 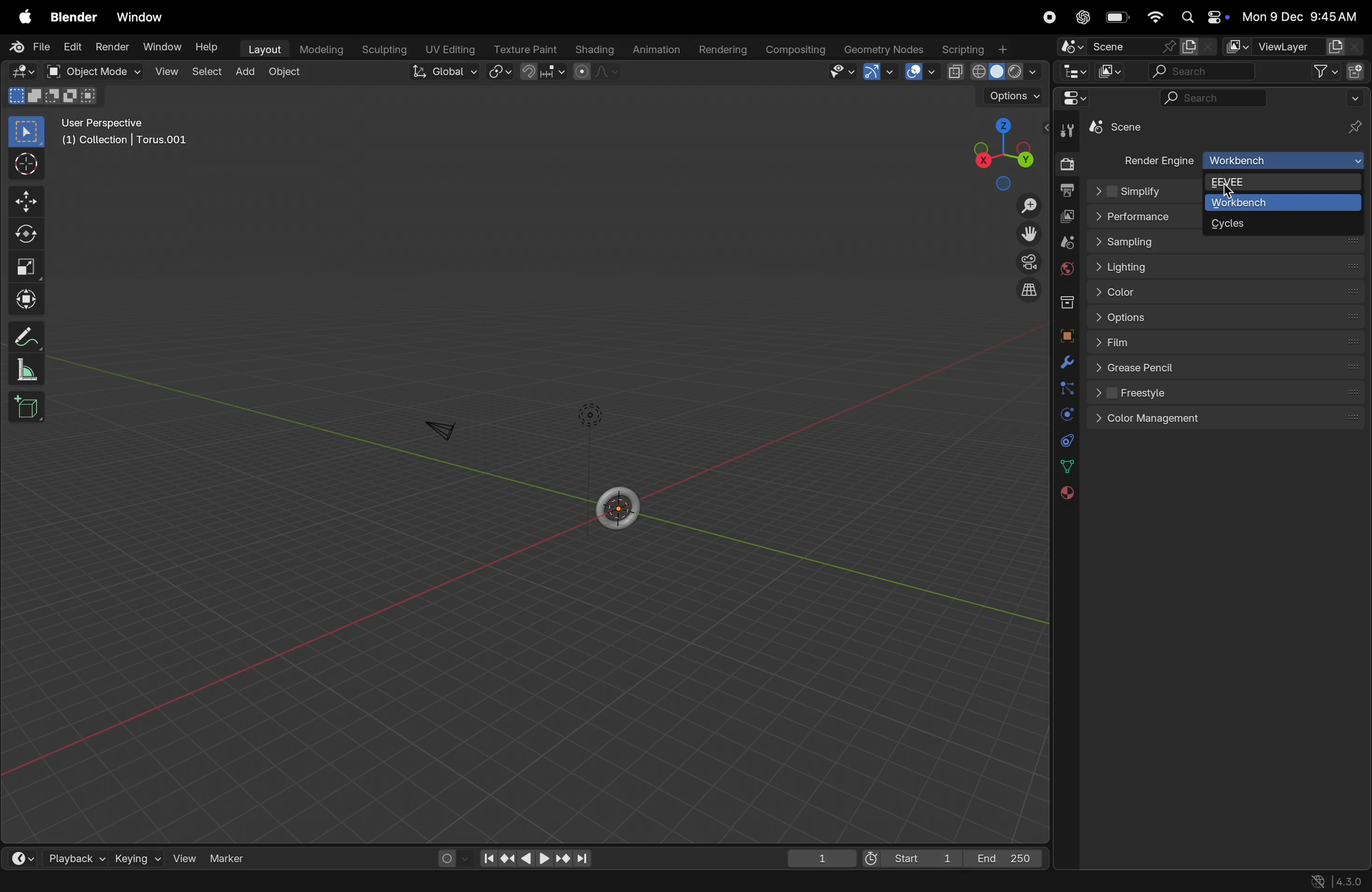 I want to click on tools, so click(x=1068, y=131).